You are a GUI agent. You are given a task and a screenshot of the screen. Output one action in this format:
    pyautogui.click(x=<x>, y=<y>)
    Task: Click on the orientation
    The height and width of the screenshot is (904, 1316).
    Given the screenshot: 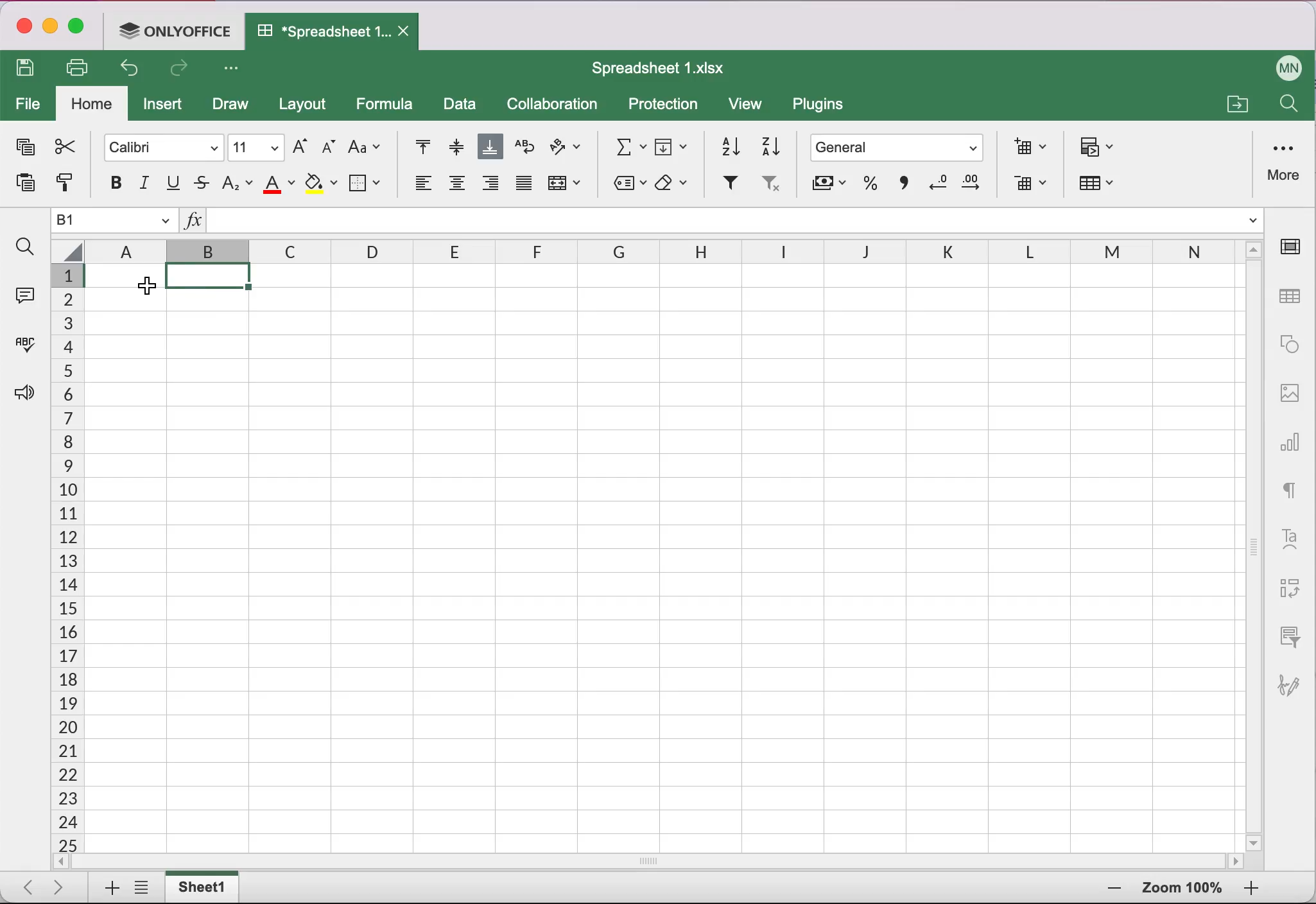 What is the action you would take?
    pyautogui.click(x=566, y=149)
    